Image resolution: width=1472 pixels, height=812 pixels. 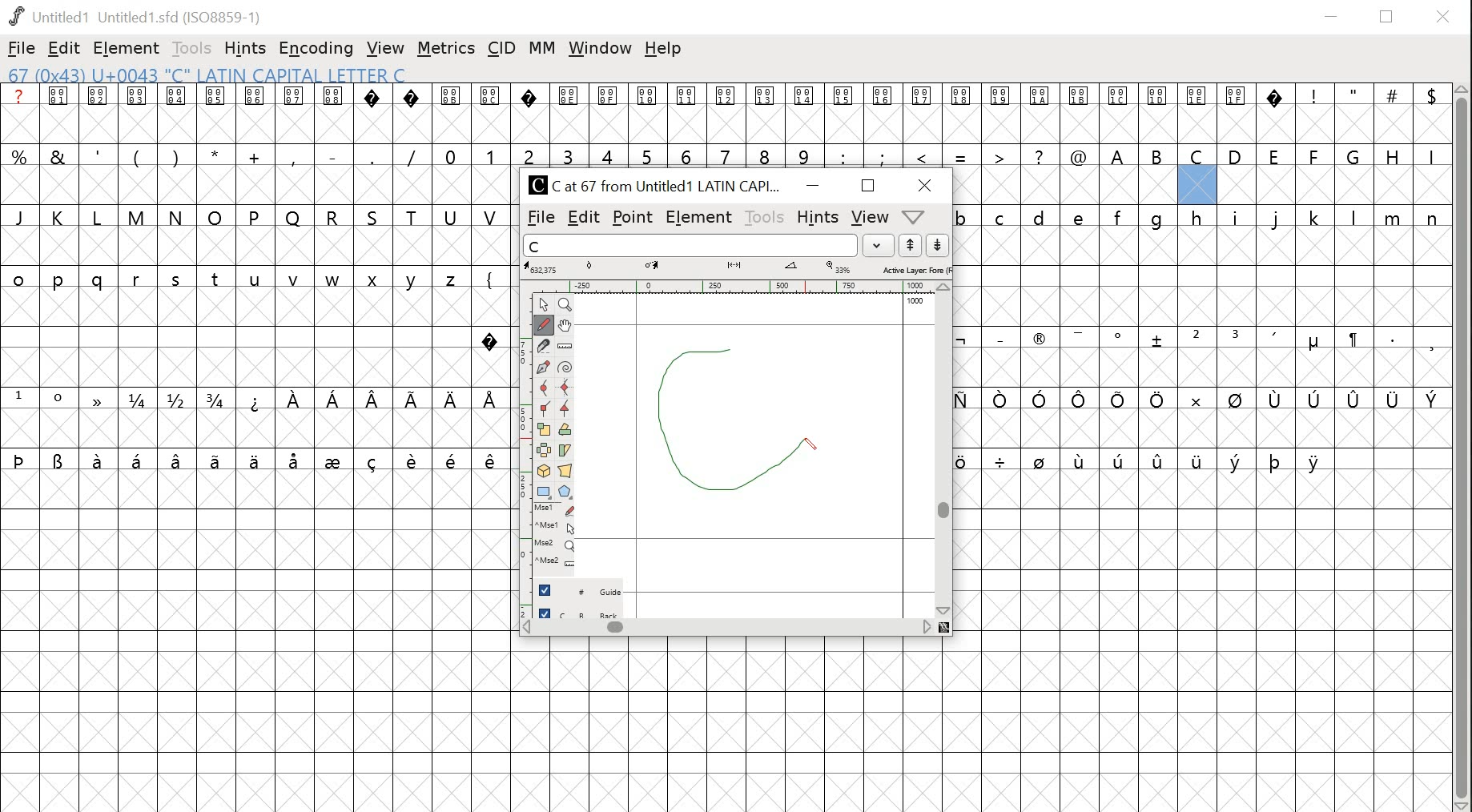 I want to click on tools, so click(x=766, y=215).